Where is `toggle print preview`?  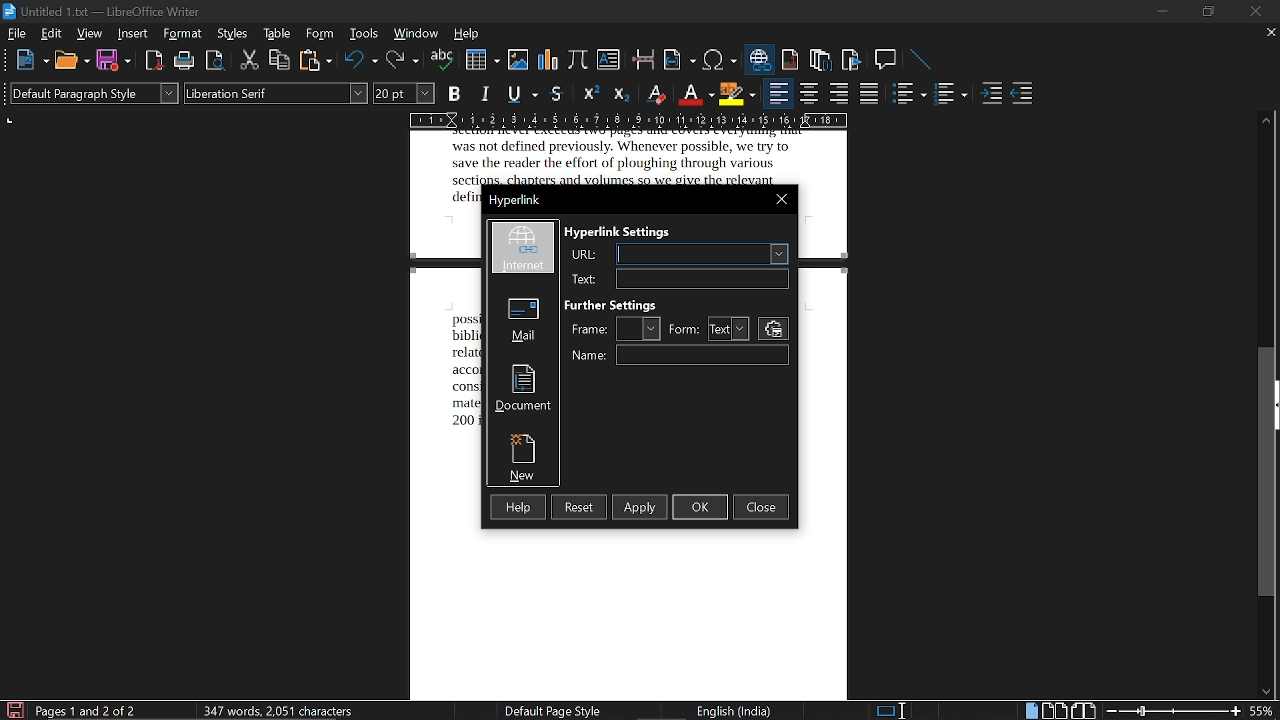 toggle print preview is located at coordinates (216, 61).